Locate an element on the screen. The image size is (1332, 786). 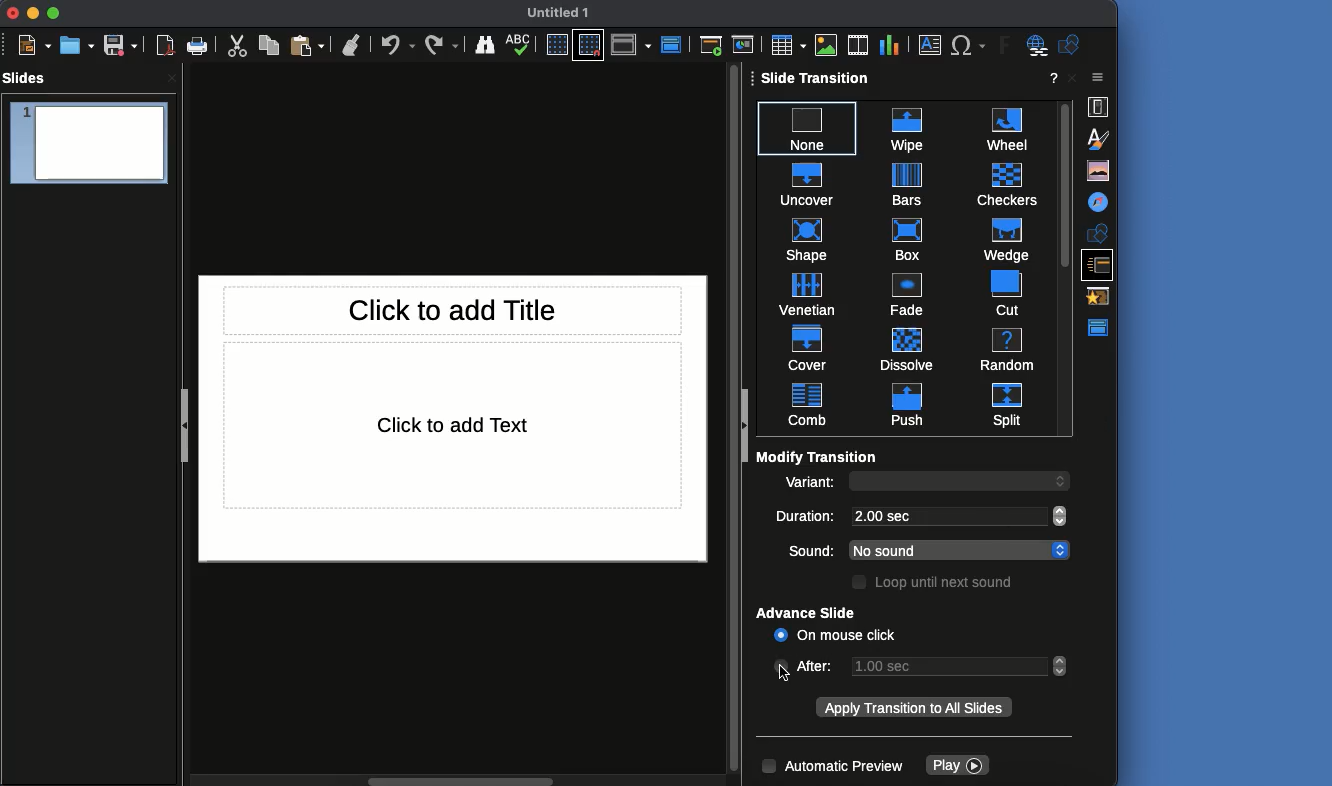
1.00 sec is located at coordinates (948, 664).